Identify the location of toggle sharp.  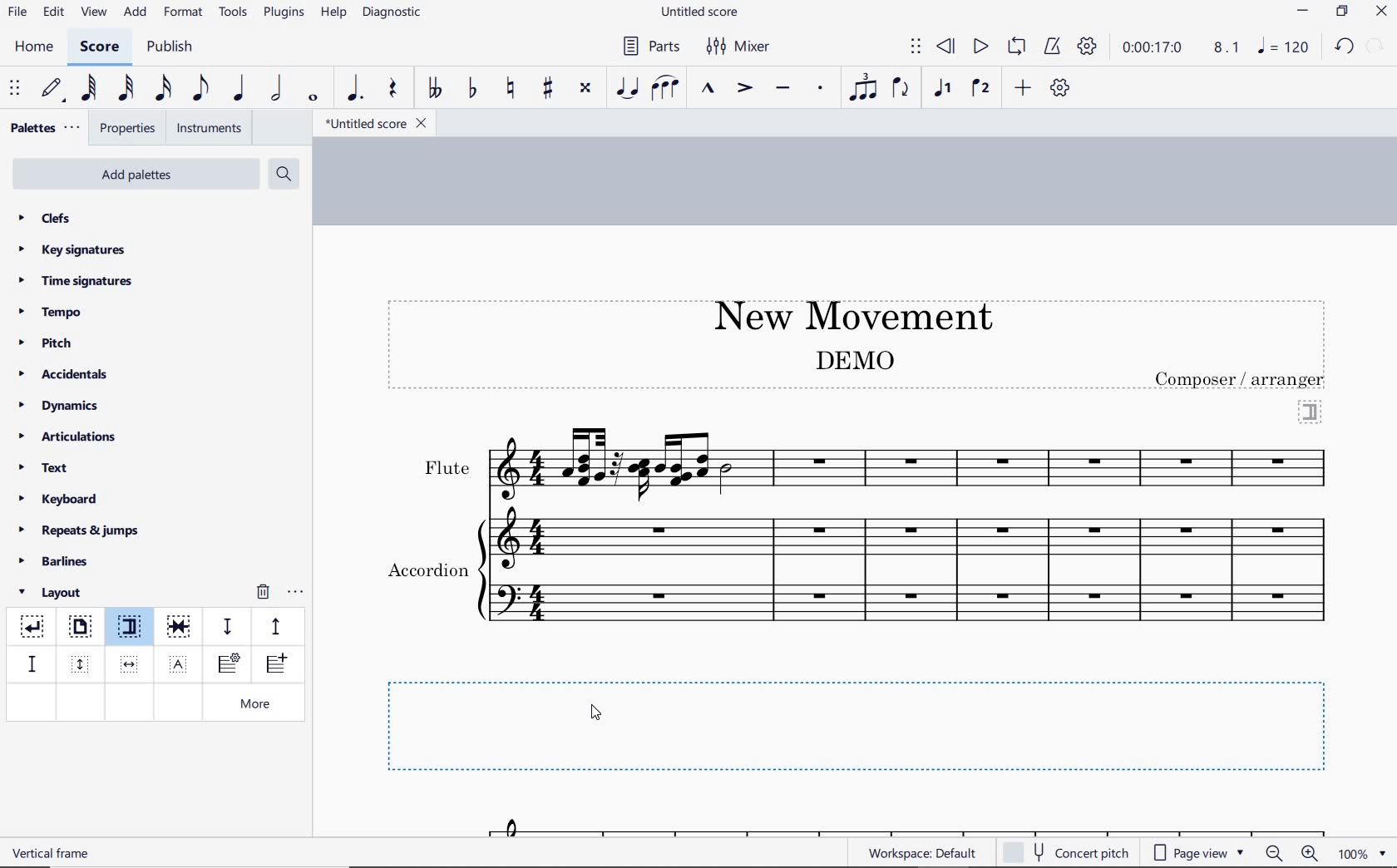
(550, 89).